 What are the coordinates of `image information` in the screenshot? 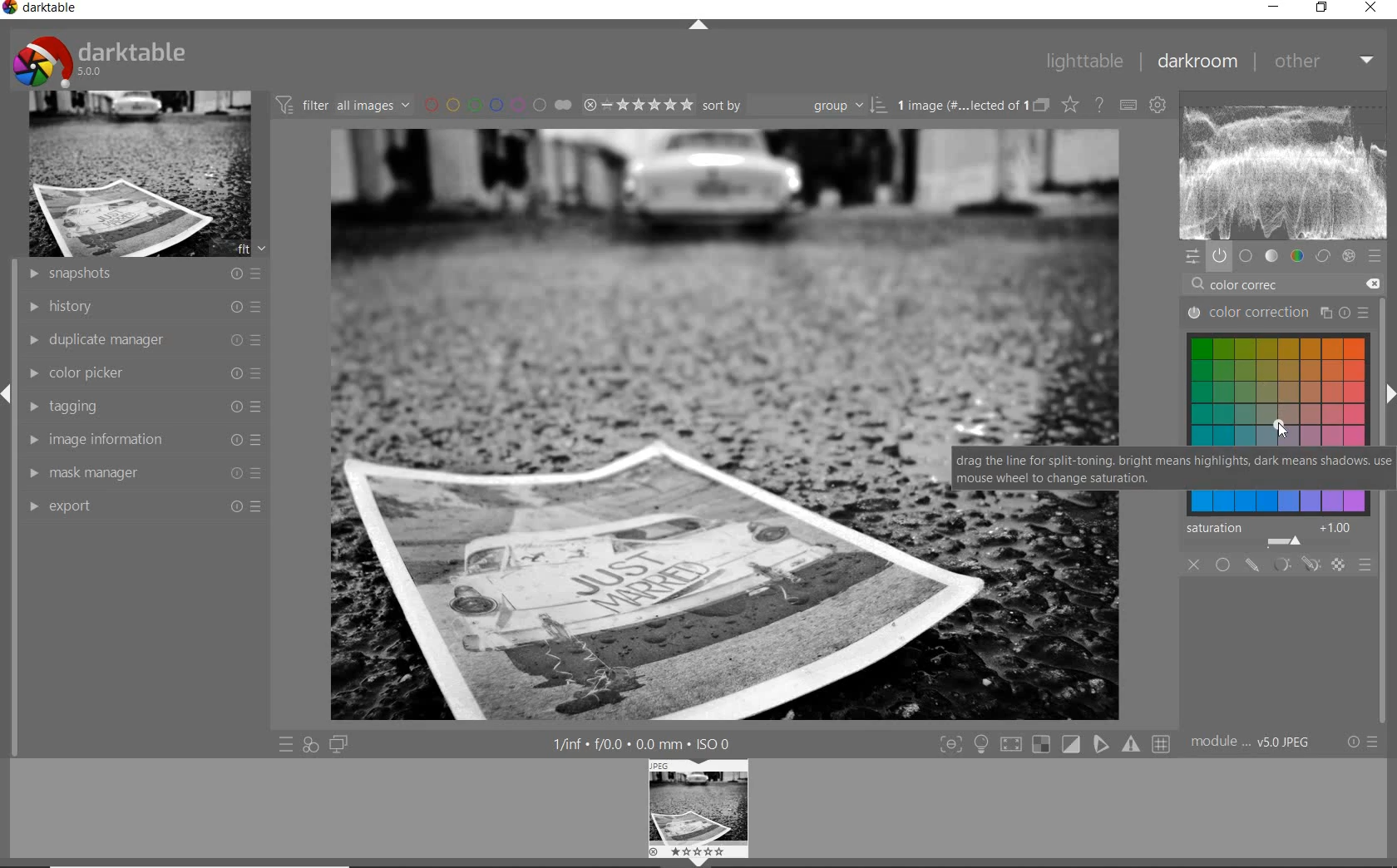 It's located at (146, 439).